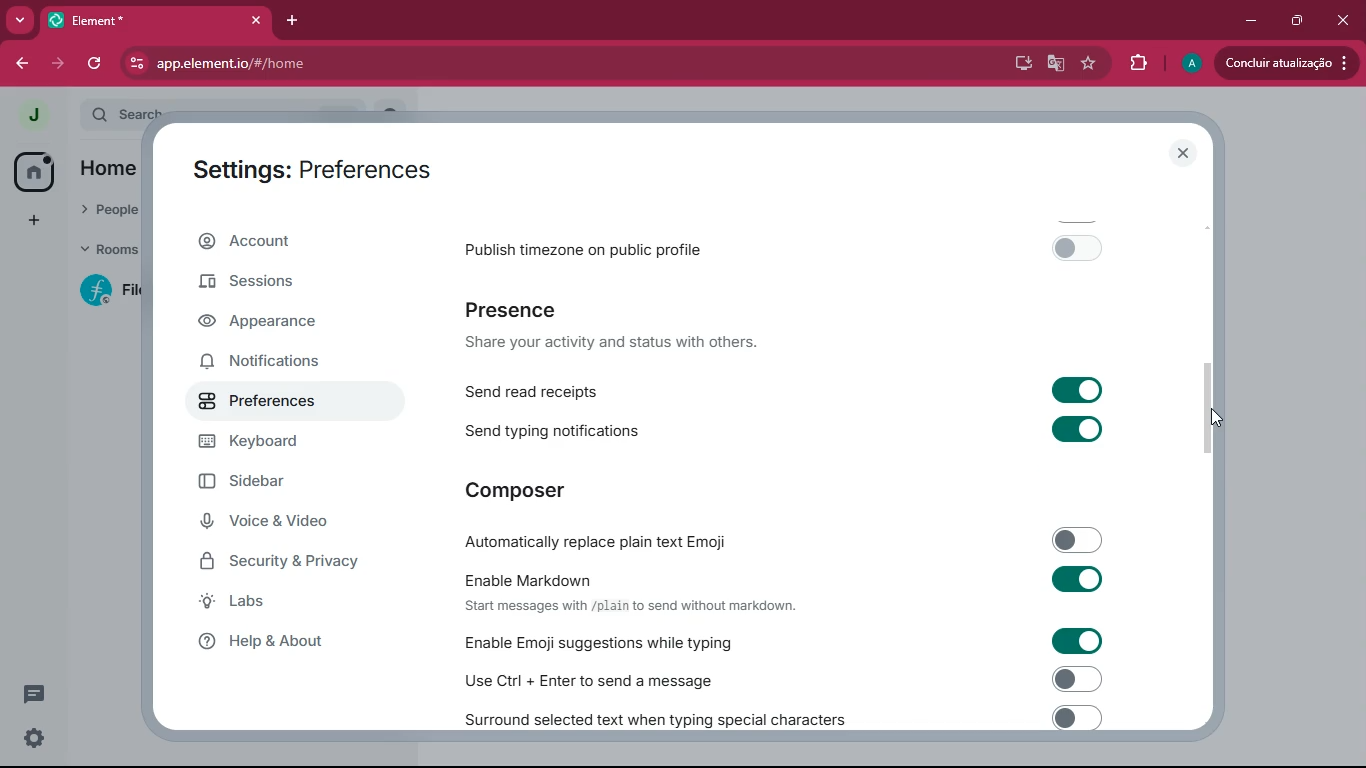 The width and height of the screenshot is (1366, 768). What do you see at coordinates (272, 364) in the screenshot?
I see `notifications` at bounding box center [272, 364].